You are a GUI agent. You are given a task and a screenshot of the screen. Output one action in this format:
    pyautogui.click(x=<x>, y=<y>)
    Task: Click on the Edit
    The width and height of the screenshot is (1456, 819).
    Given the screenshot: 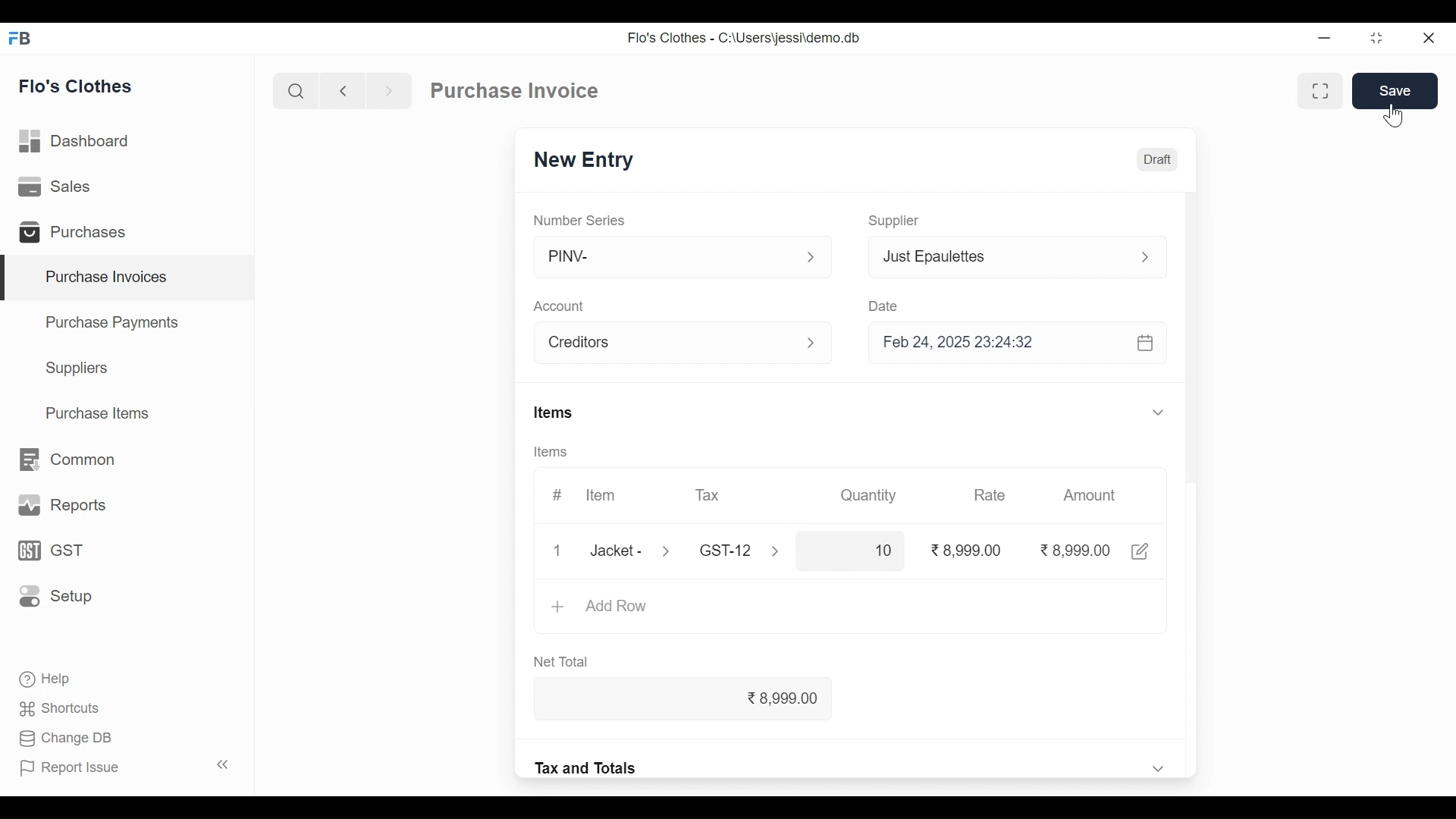 What is the action you would take?
    pyautogui.click(x=1141, y=551)
    